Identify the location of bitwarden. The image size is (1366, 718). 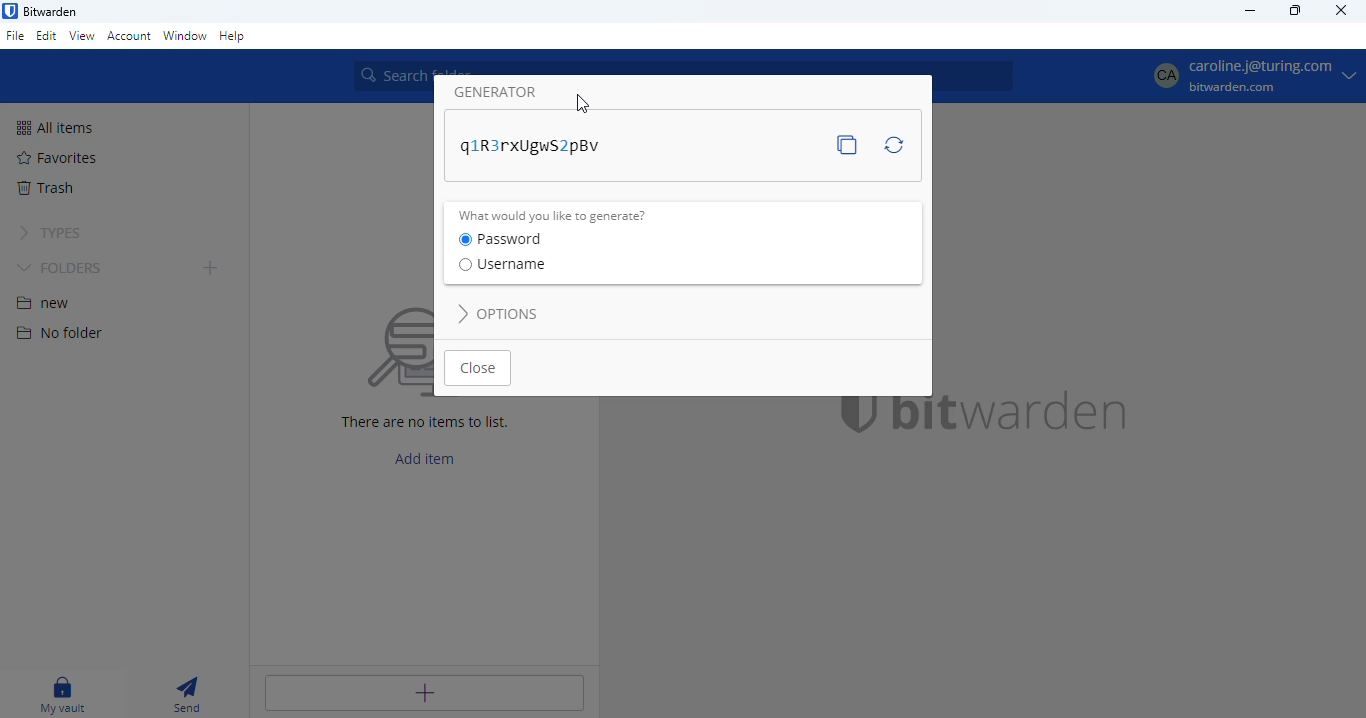
(50, 11).